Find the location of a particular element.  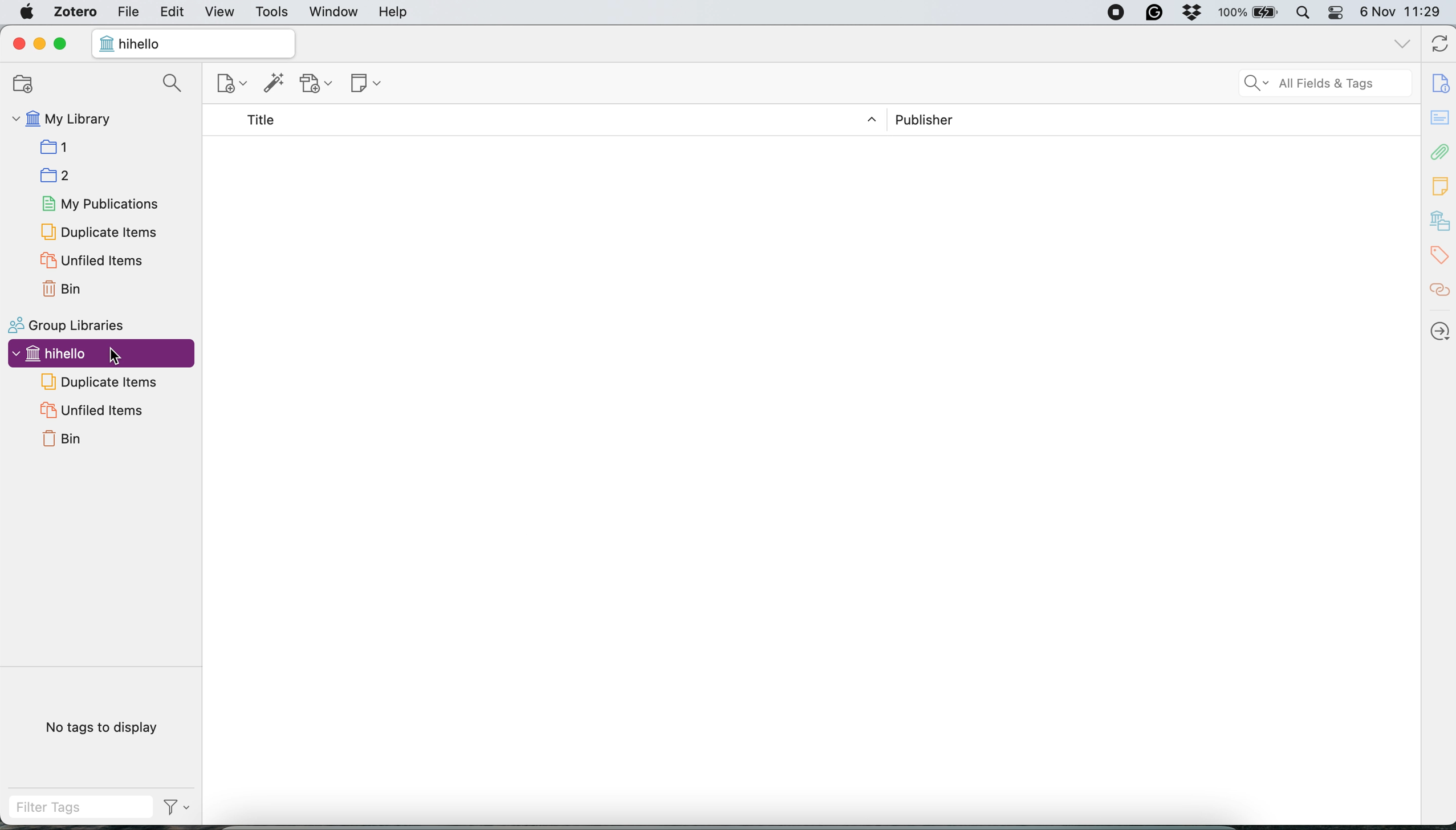

bin is located at coordinates (65, 290).